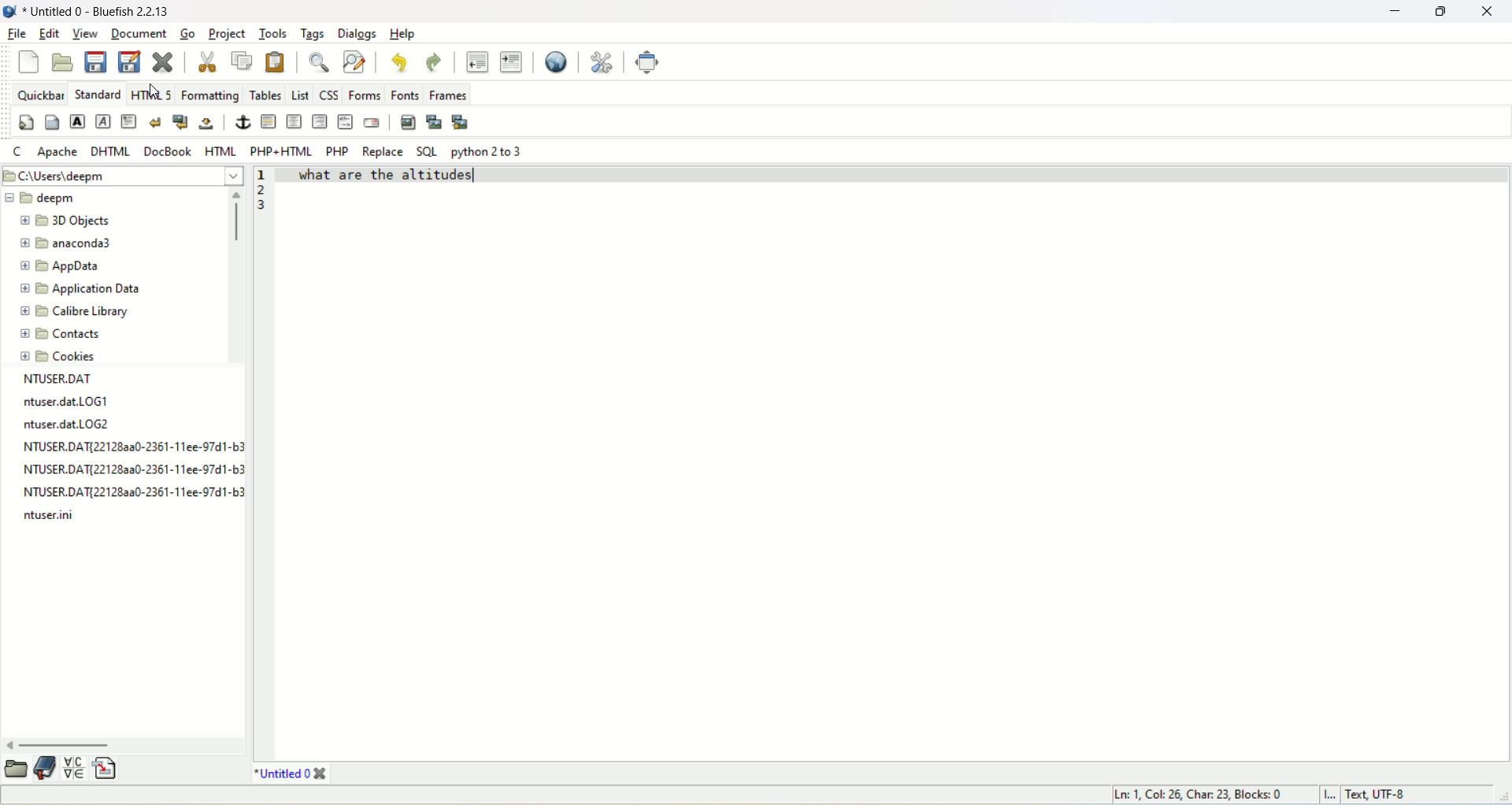 Image resolution: width=1512 pixels, height=805 pixels. Describe the element at coordinates (1393, 796) in the screenshot. I see `text, UTF-8` at that location.